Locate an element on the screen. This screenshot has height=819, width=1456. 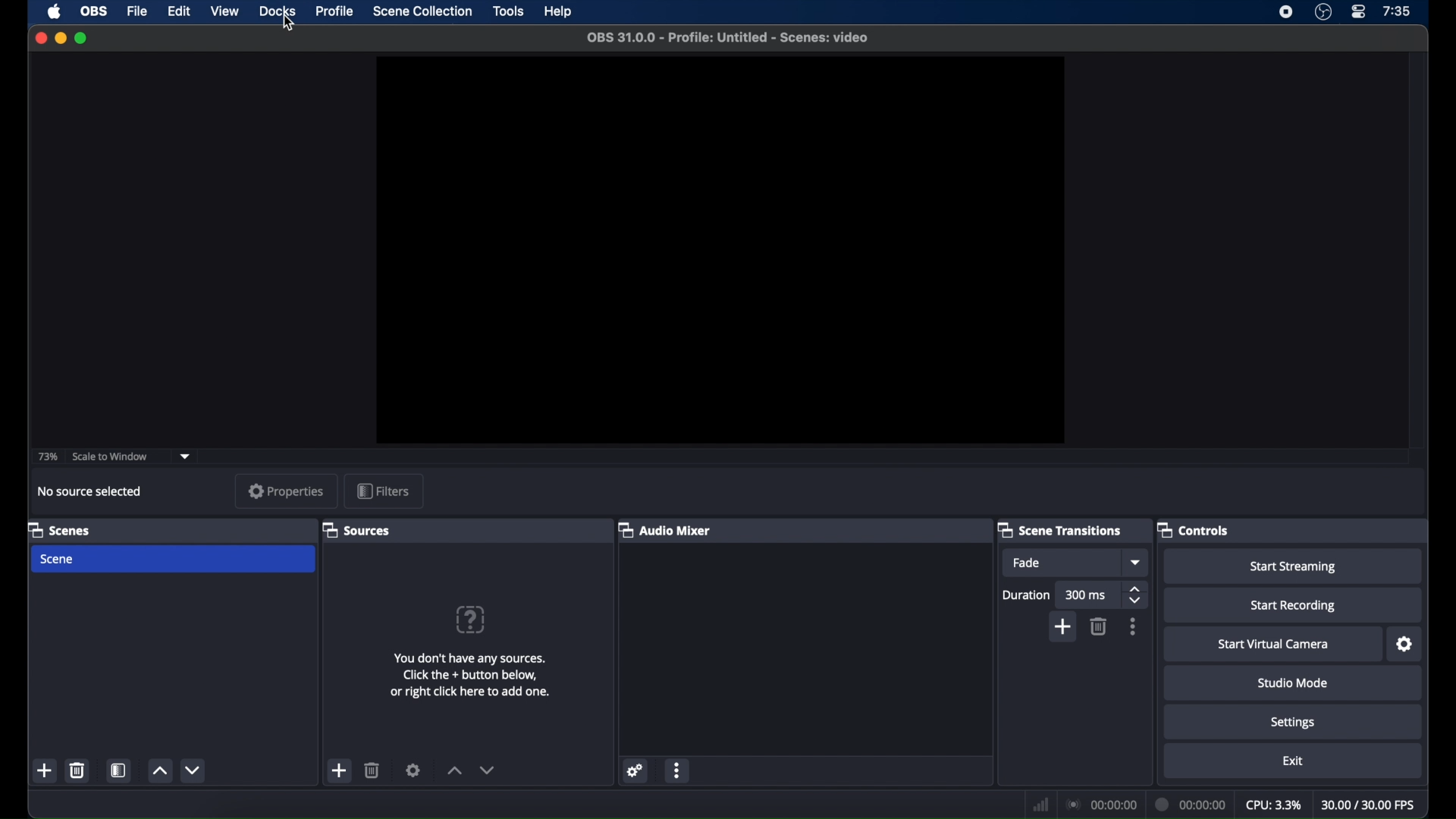
help is located at coordinates (469, 619).